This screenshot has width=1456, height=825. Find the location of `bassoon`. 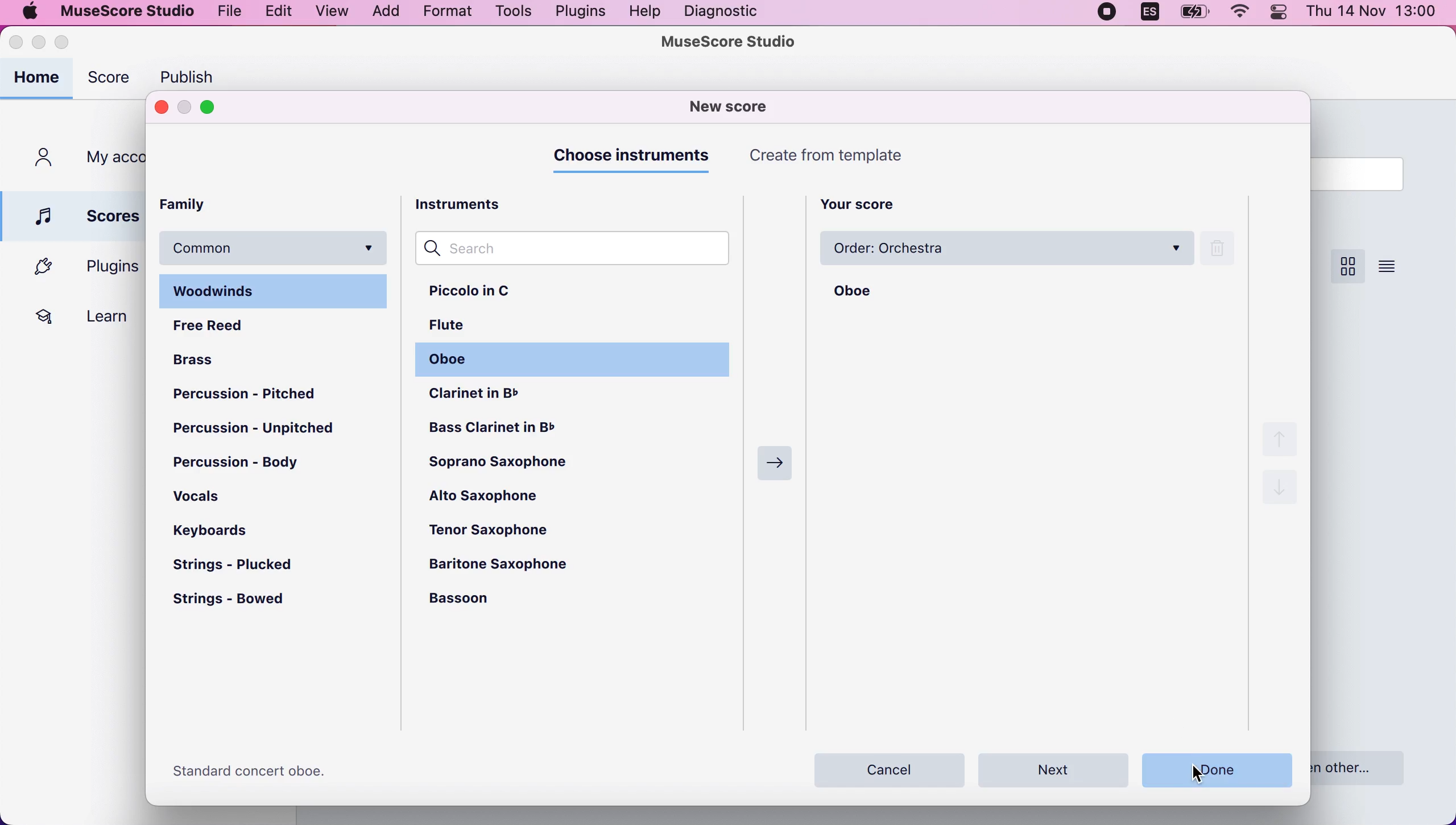

bassoon is located at coordinates (483, 599).